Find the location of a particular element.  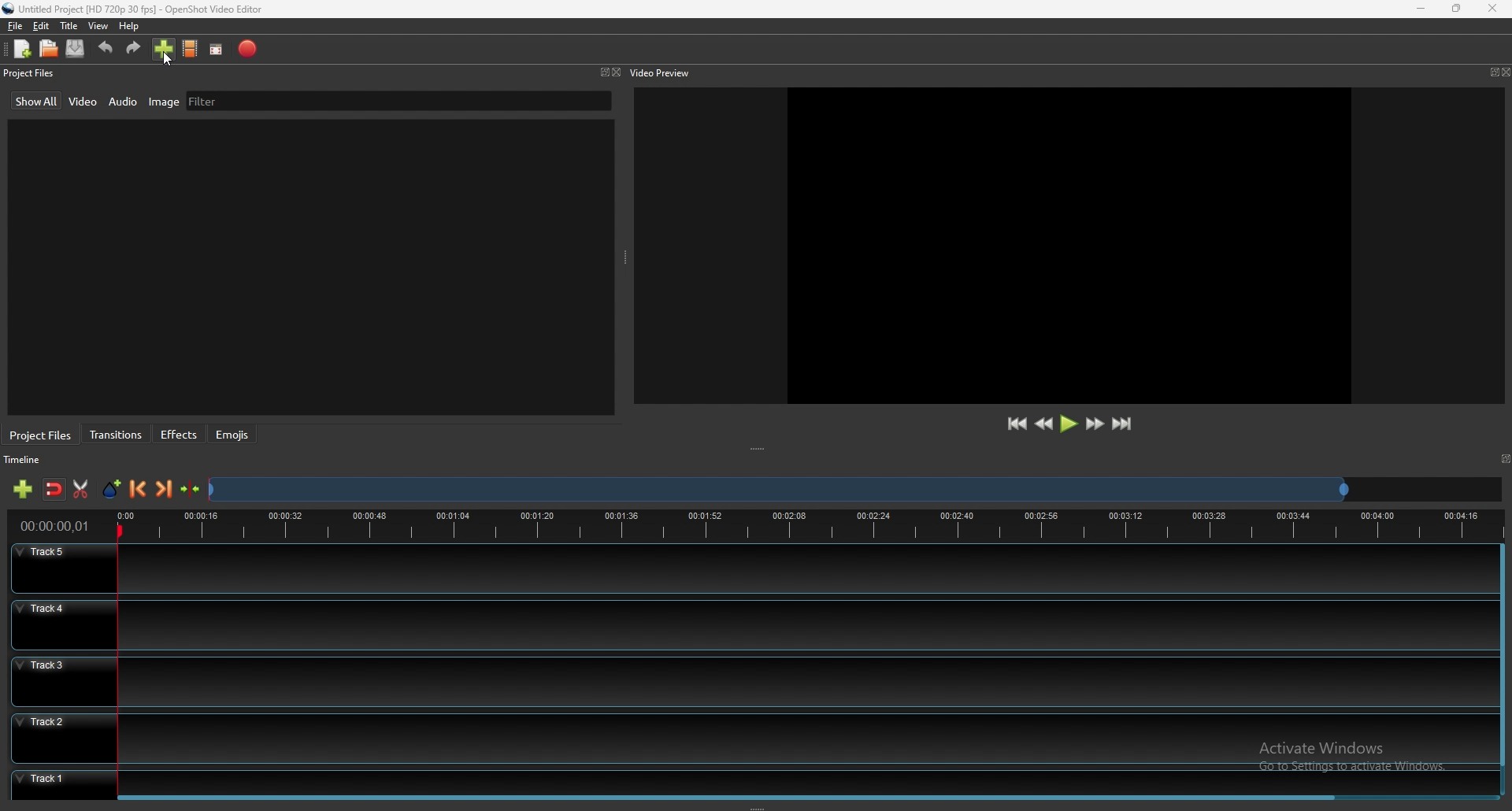

save project is located at coordinates (76, 48).